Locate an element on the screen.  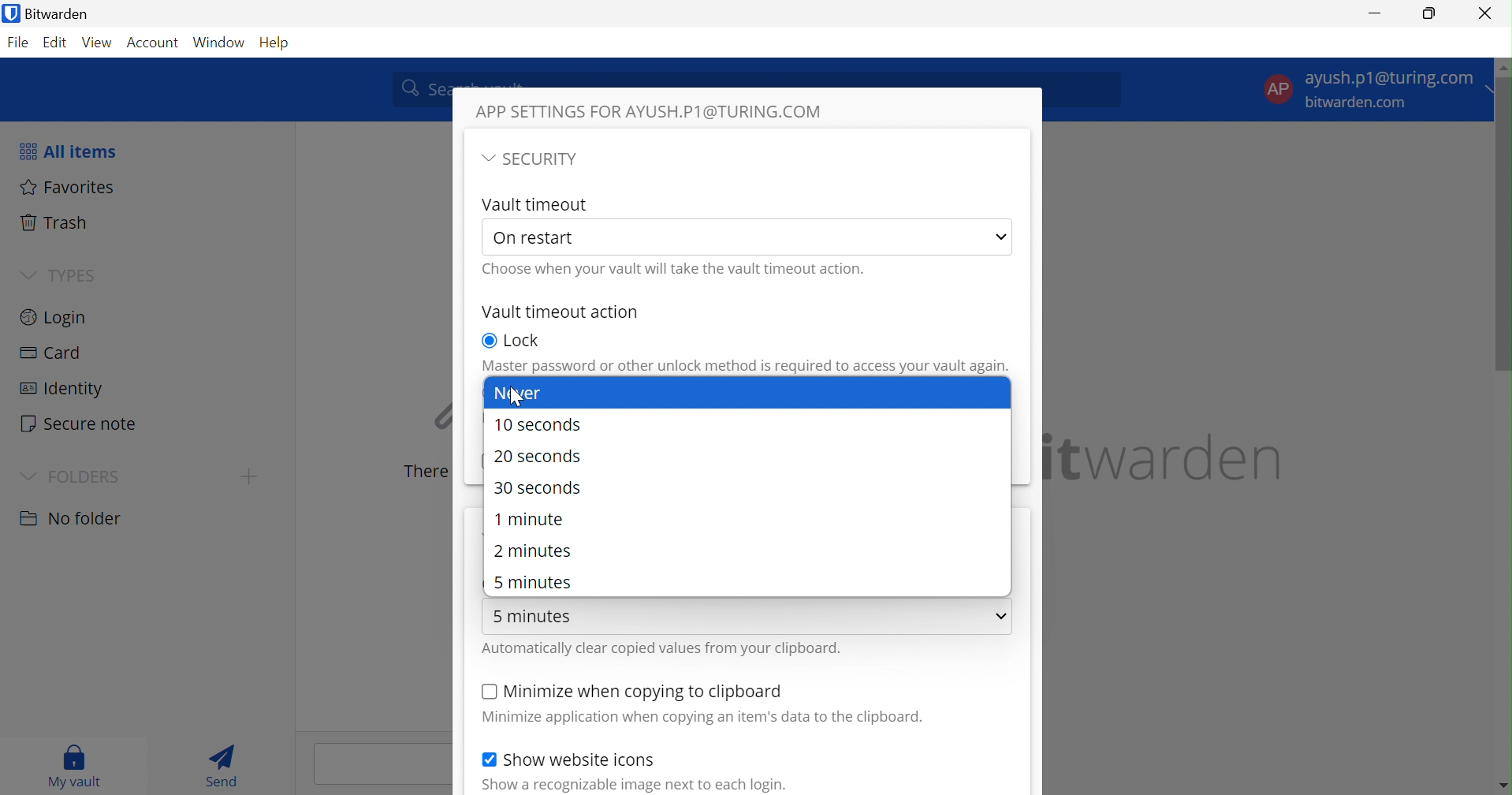
Vault timeout action is located at coordinates (560, 311).